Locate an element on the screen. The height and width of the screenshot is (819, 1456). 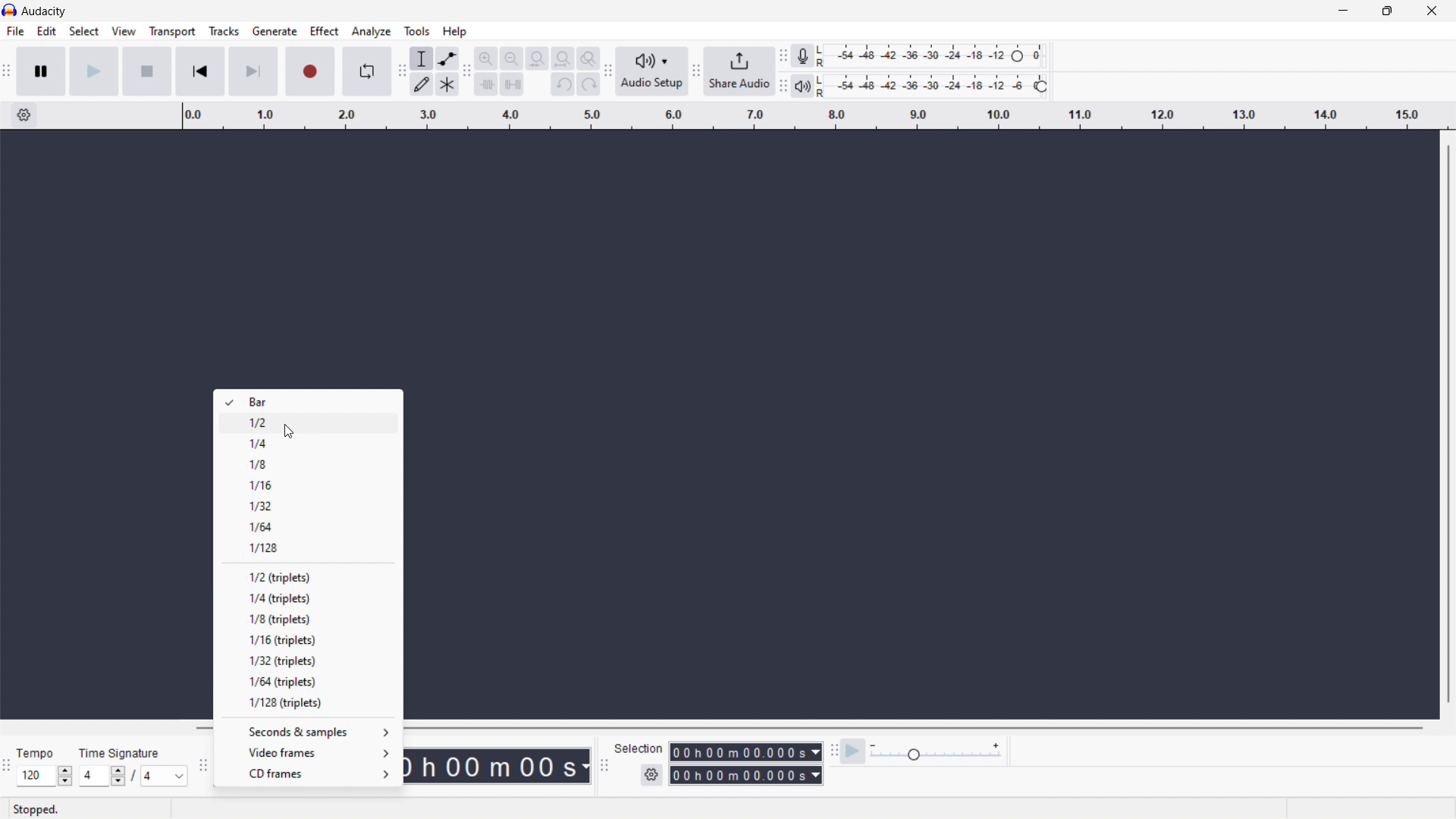
transport is located at coordinates (172, 32).